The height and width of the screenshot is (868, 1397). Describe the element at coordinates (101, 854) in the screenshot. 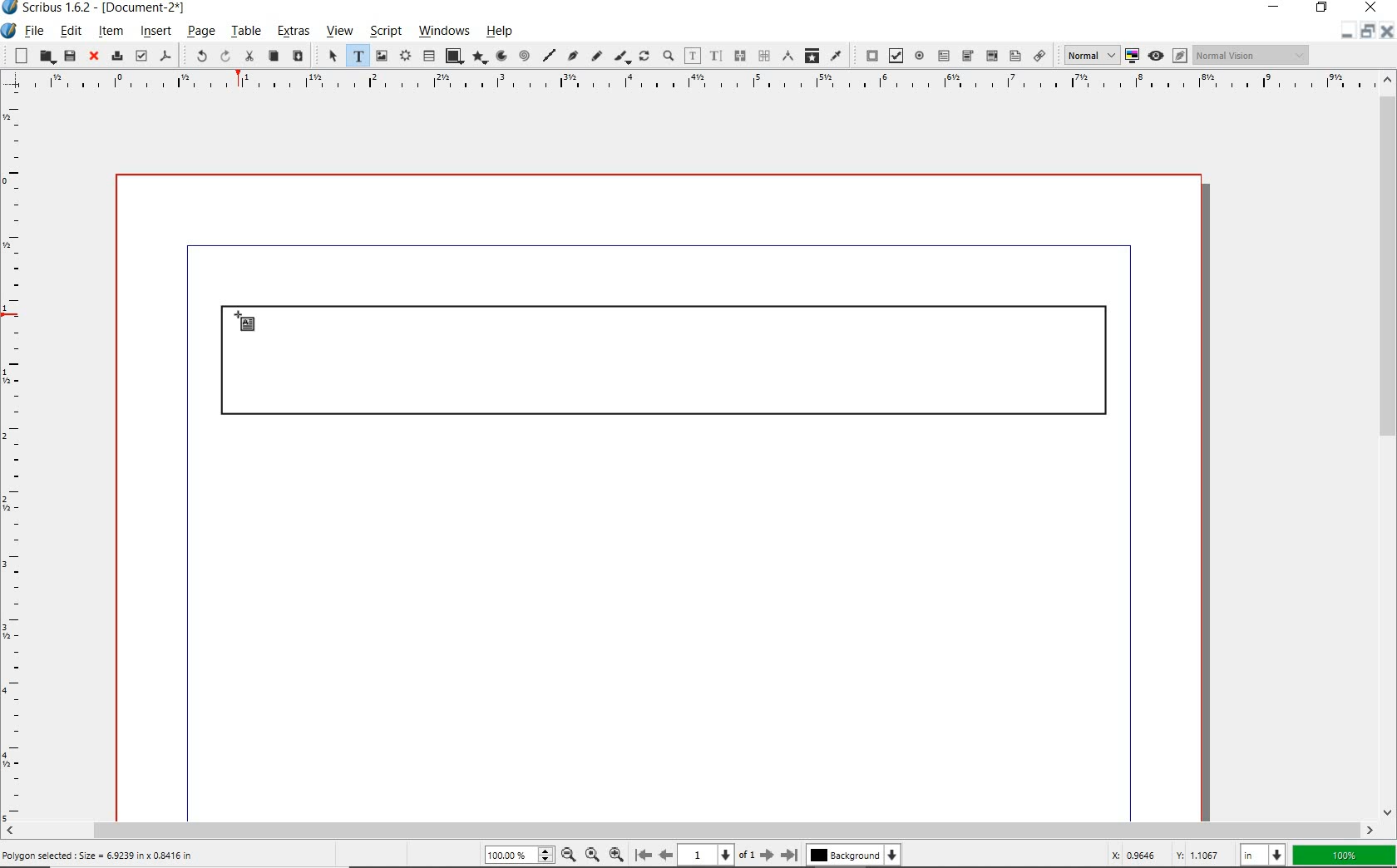

I see `Polygon selected : Size = 6.9239 in x 0.8416 in` at that location.